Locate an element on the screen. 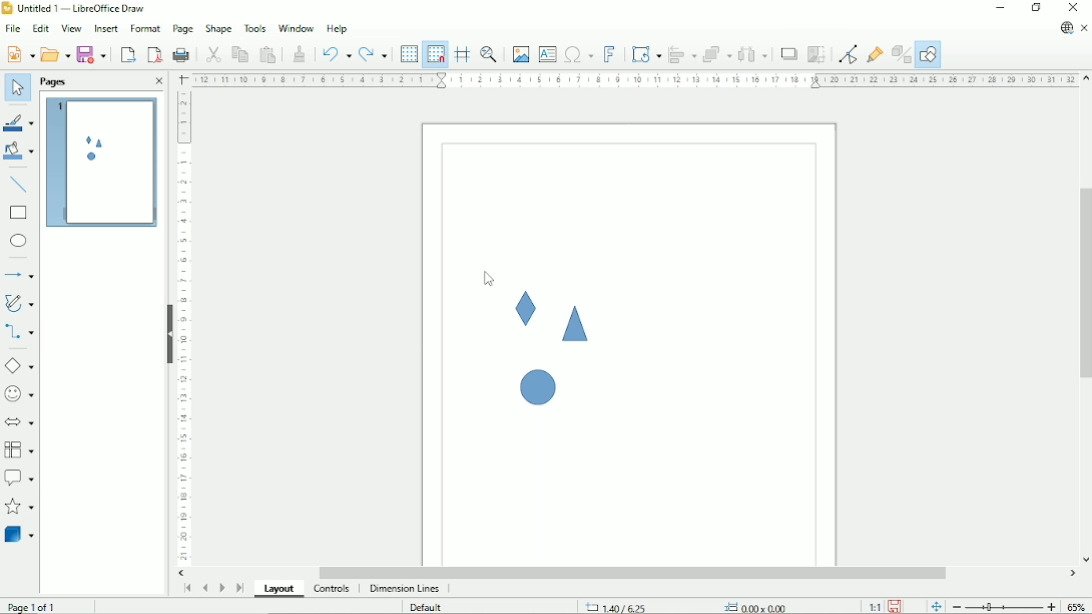  Horizontal scale is located at coordinates (634, 80).